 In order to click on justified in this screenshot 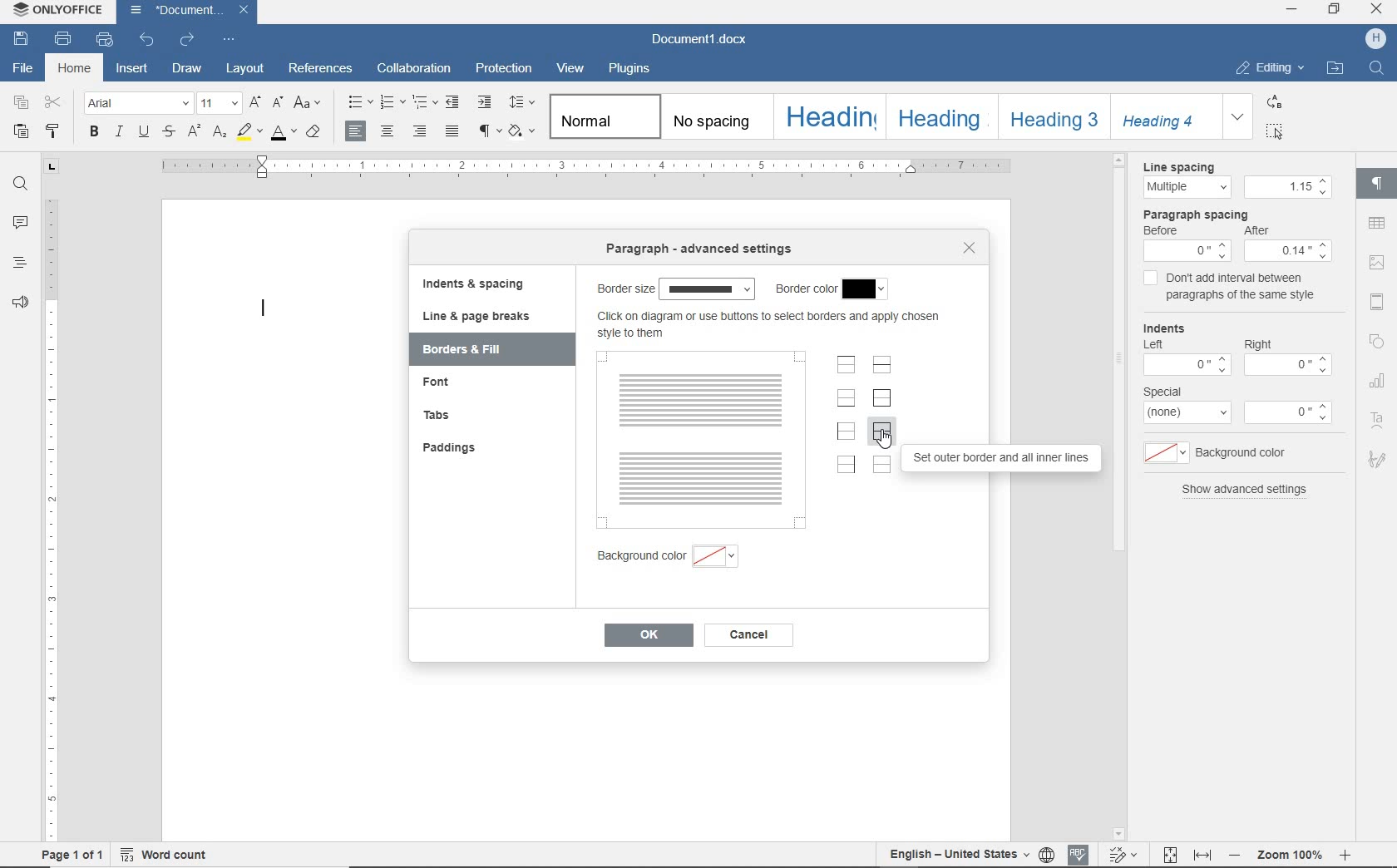, I will do `click(452, 131)`.